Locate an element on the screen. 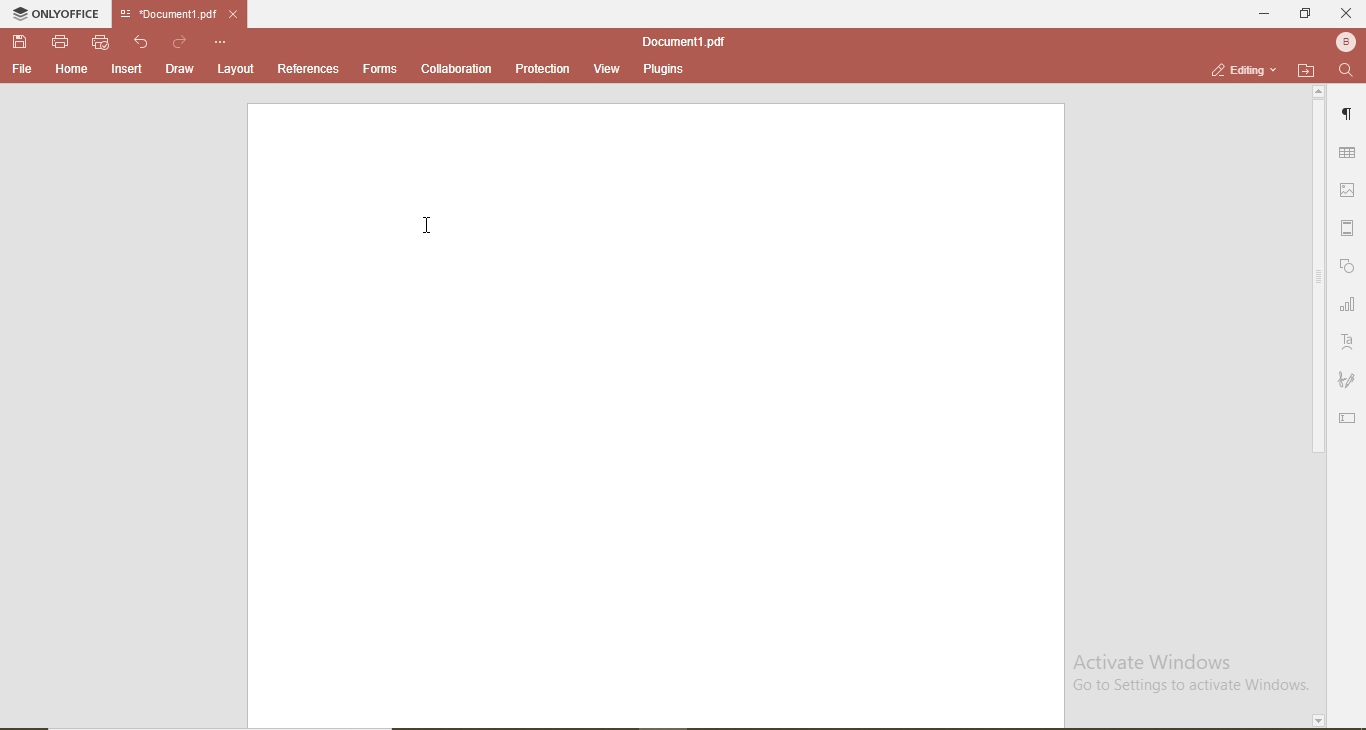 The height and width of the screenshot is (730, 1366). options is located at coordinates (221, 43).